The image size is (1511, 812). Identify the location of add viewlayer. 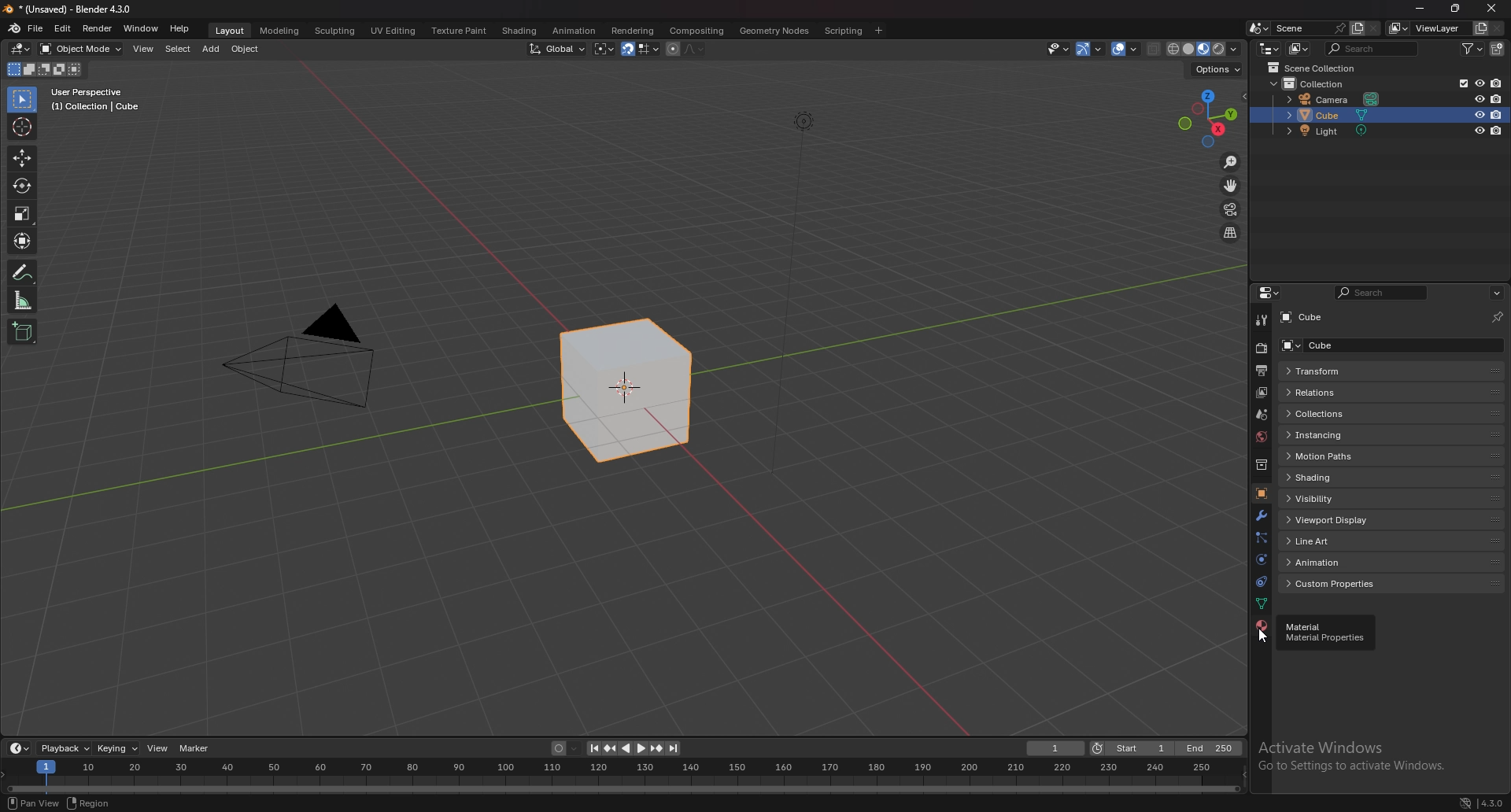
(1481, 28).